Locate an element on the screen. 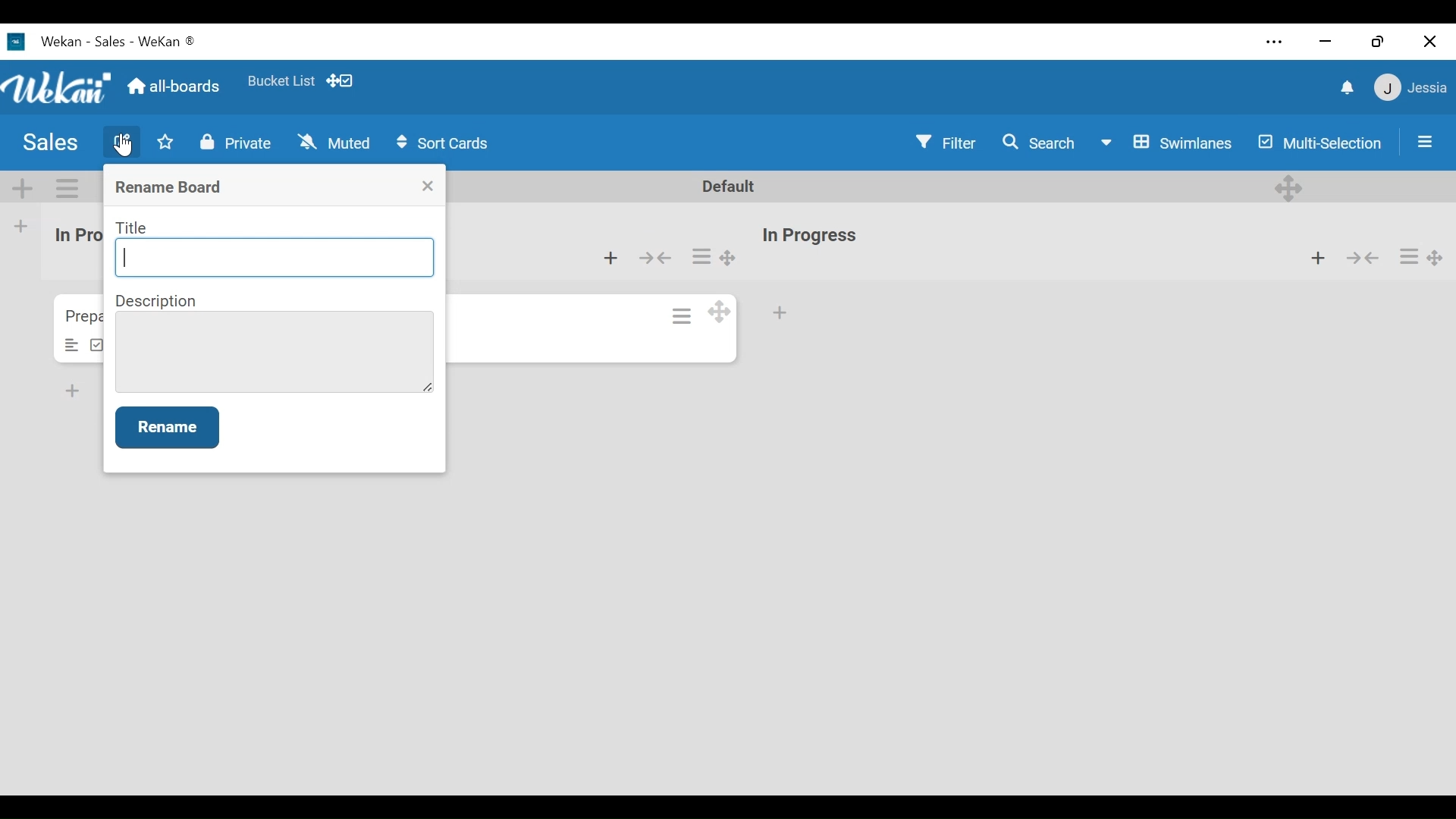 Image resolution: width=1456 pixels, height=819 pixels. Rename Board is located at coordinates (171, 188).